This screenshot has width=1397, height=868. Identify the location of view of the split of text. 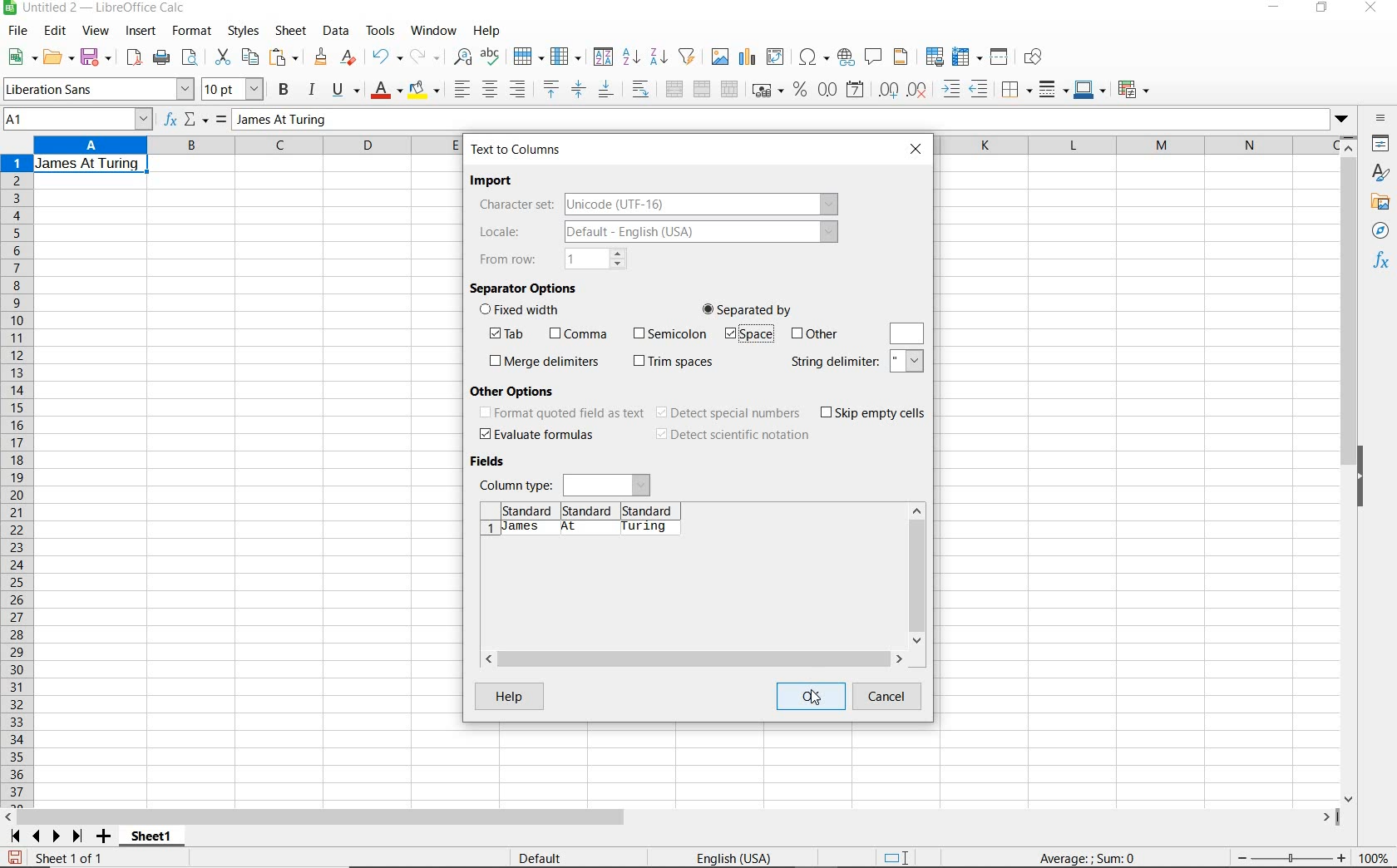
(584, 528).